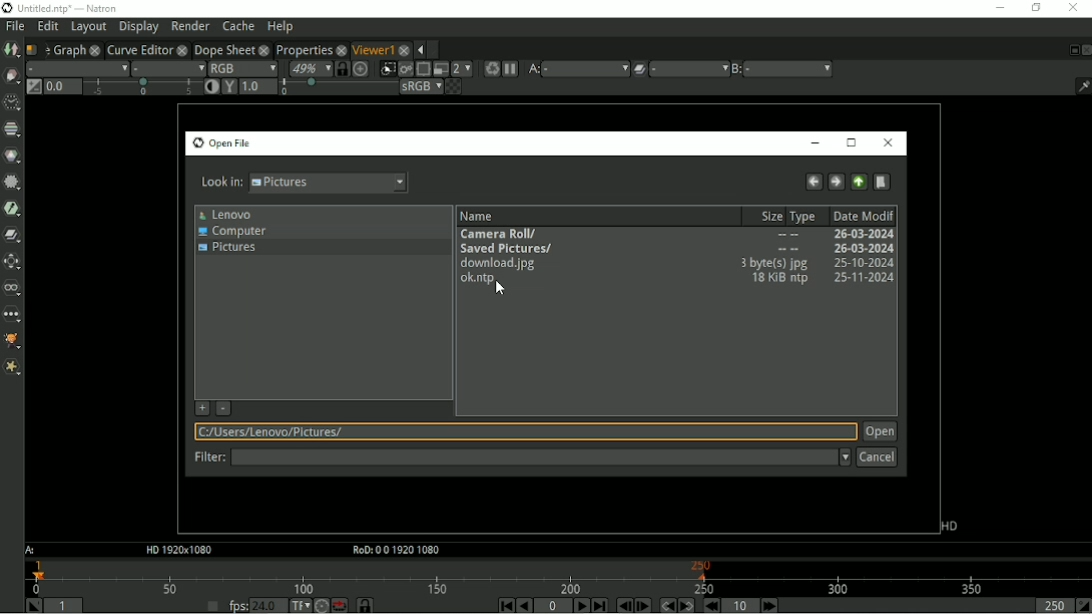 Image resolution: width=1092 pixels, height=614 pixels. I want to click on Checkerboard, so click(453, 86).